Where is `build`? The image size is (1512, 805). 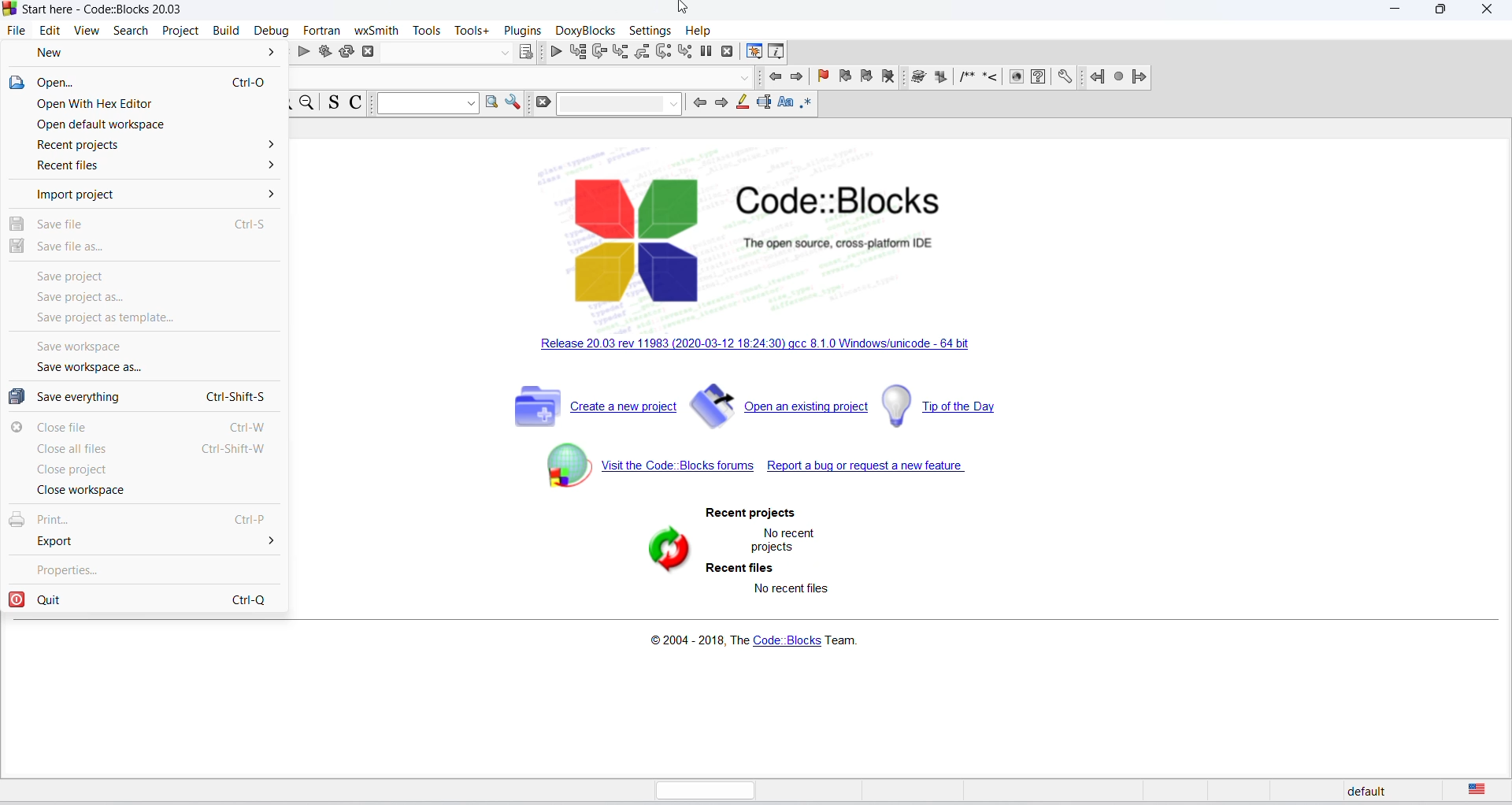
build is located at coordinates (278, 52).